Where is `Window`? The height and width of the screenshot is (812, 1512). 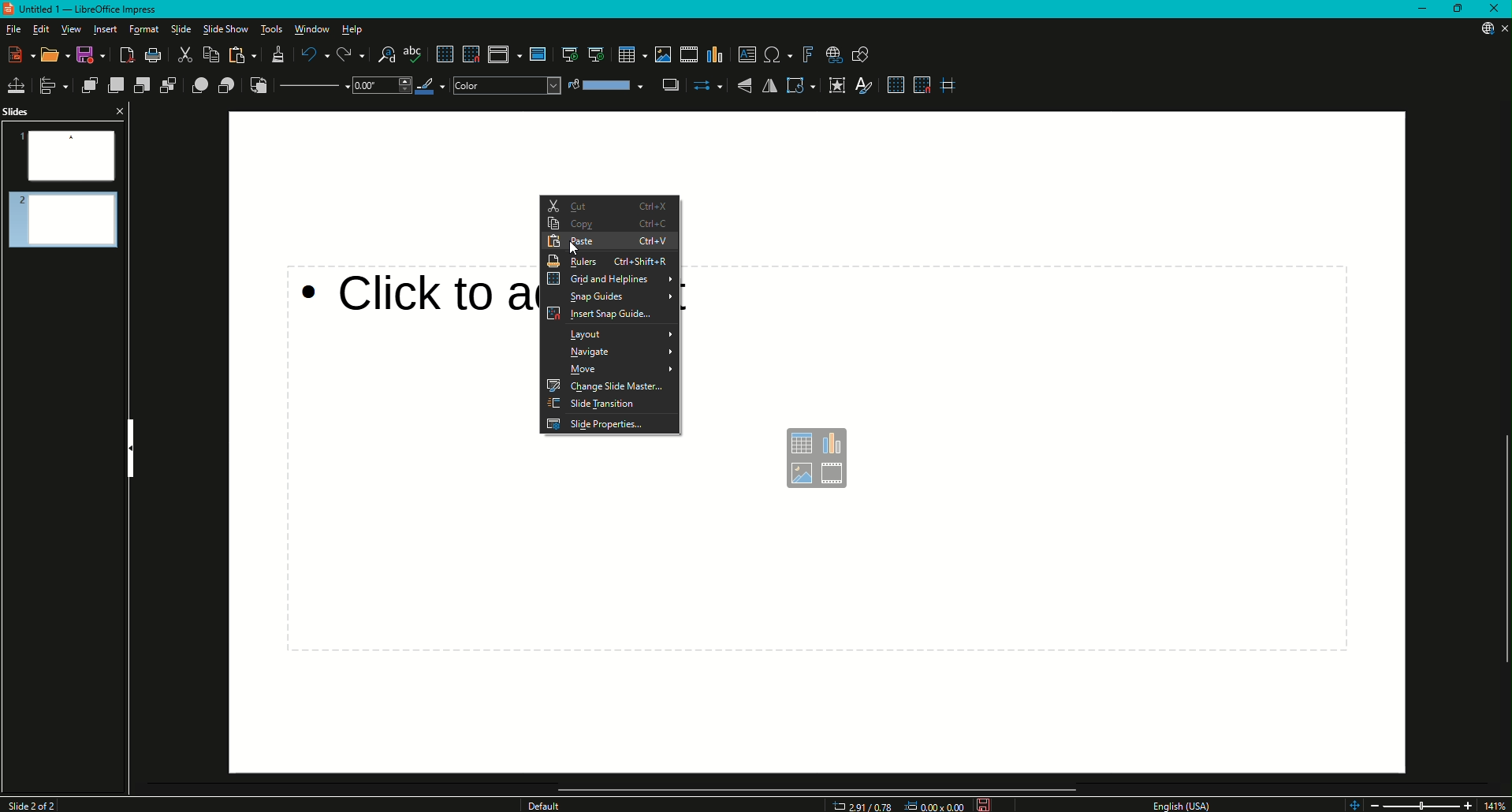 Window is located at coordinates (313, 28).